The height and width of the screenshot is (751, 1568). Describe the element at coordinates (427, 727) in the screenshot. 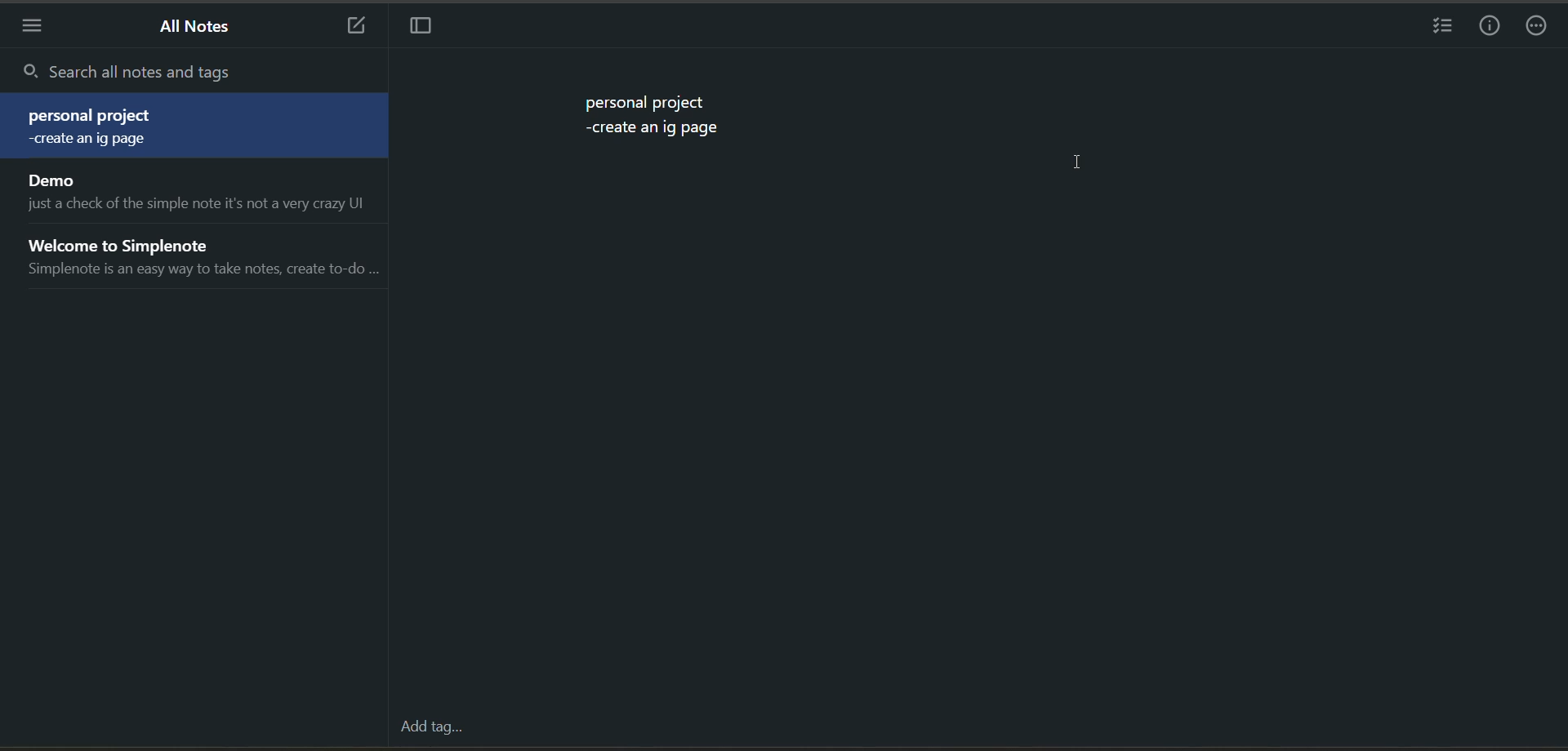

I see `add tag` at that location.